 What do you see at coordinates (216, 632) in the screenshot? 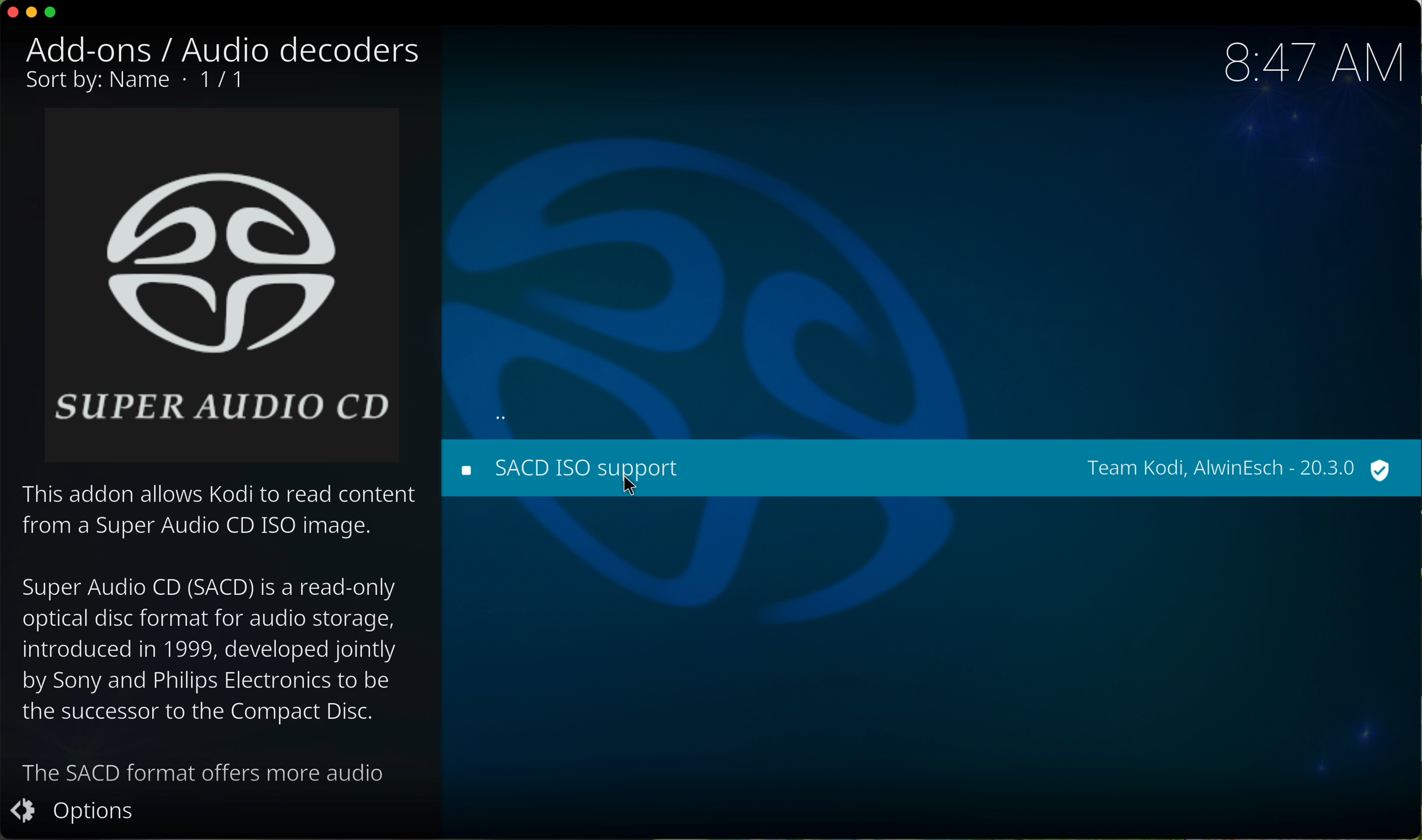
I see `description` at bounding box center [216, 632].